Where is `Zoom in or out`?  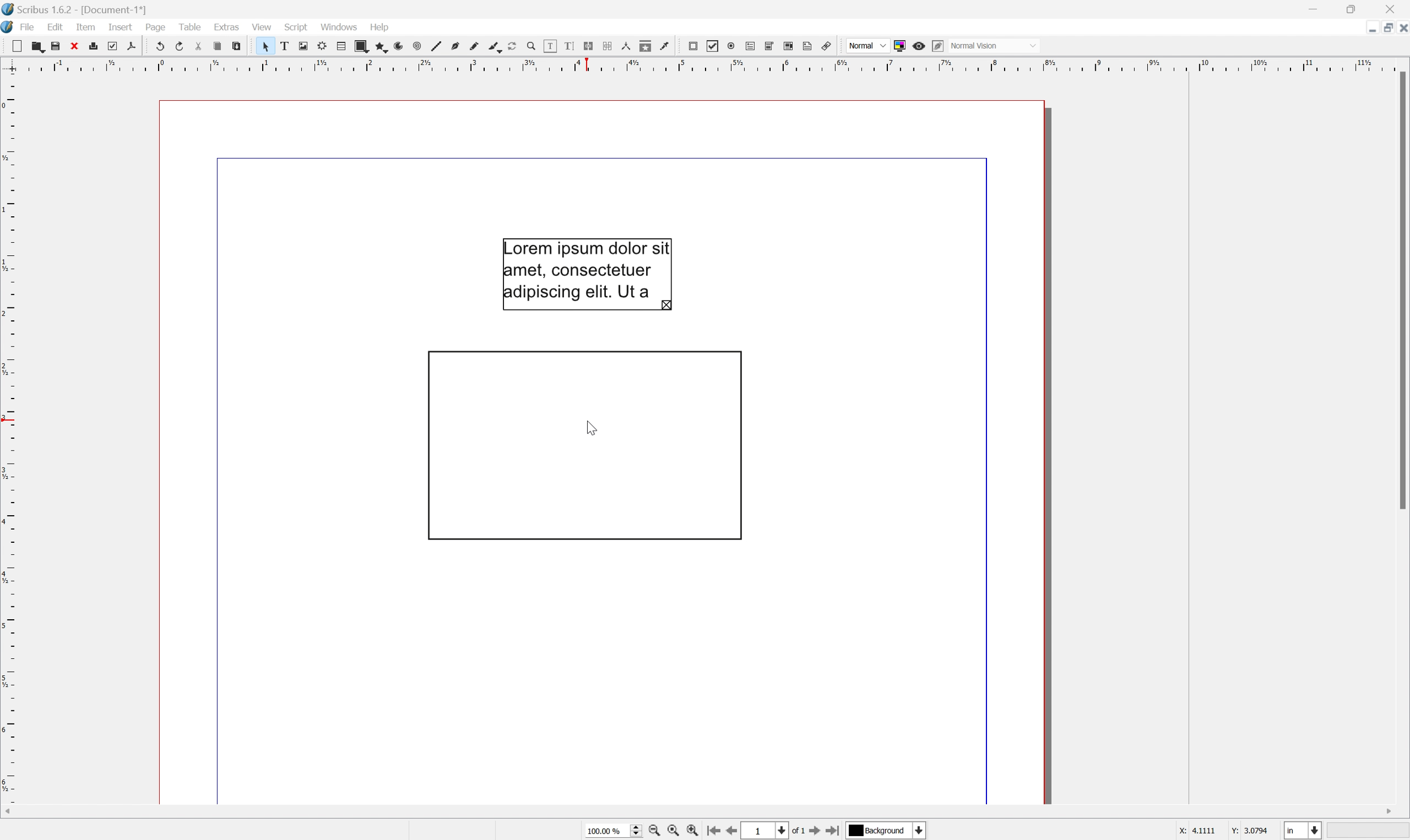 Zoom in or out is located at coordinates (529, 46).